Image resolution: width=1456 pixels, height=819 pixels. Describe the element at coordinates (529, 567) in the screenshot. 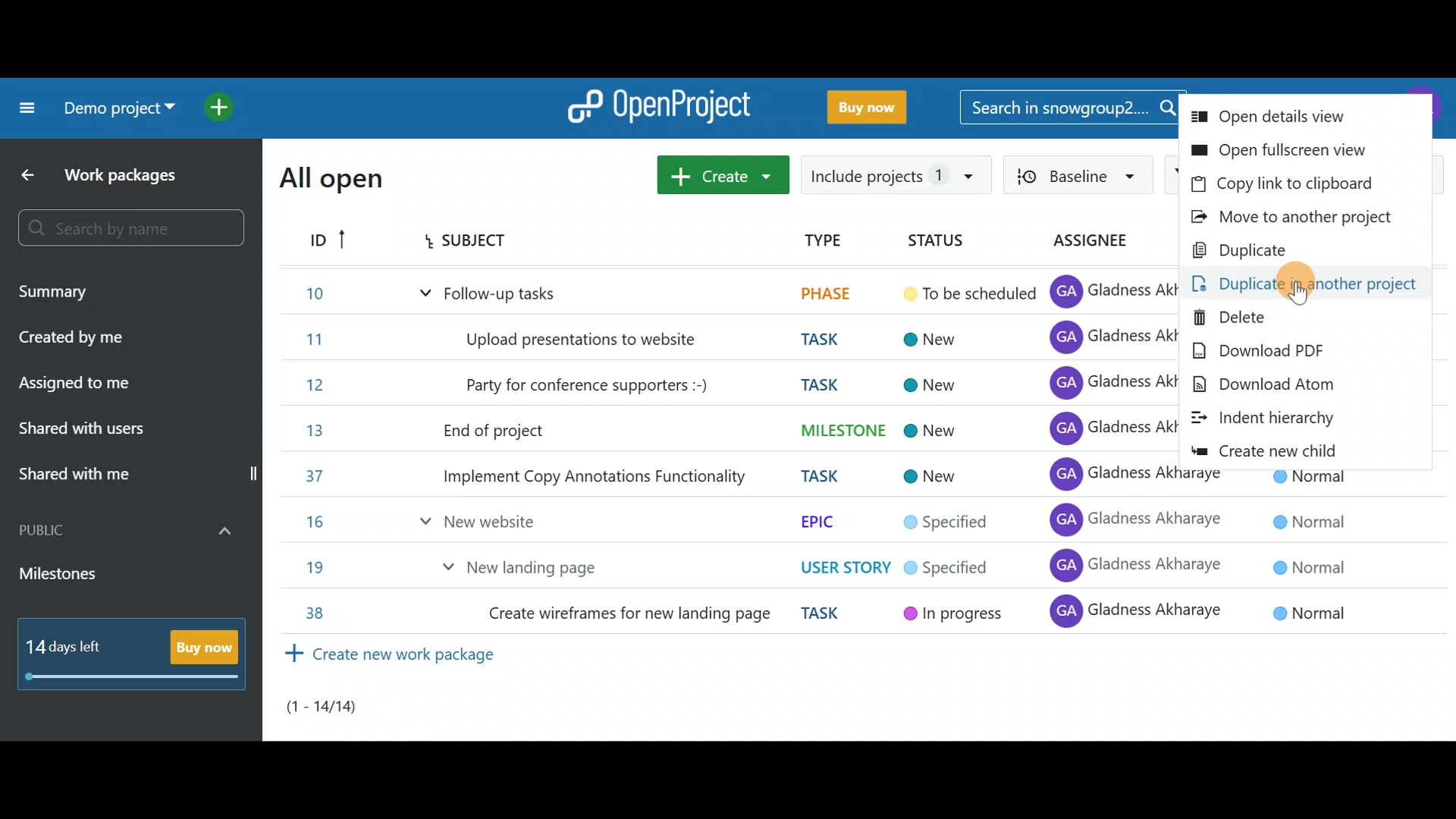

I see `New landing page` at that location.